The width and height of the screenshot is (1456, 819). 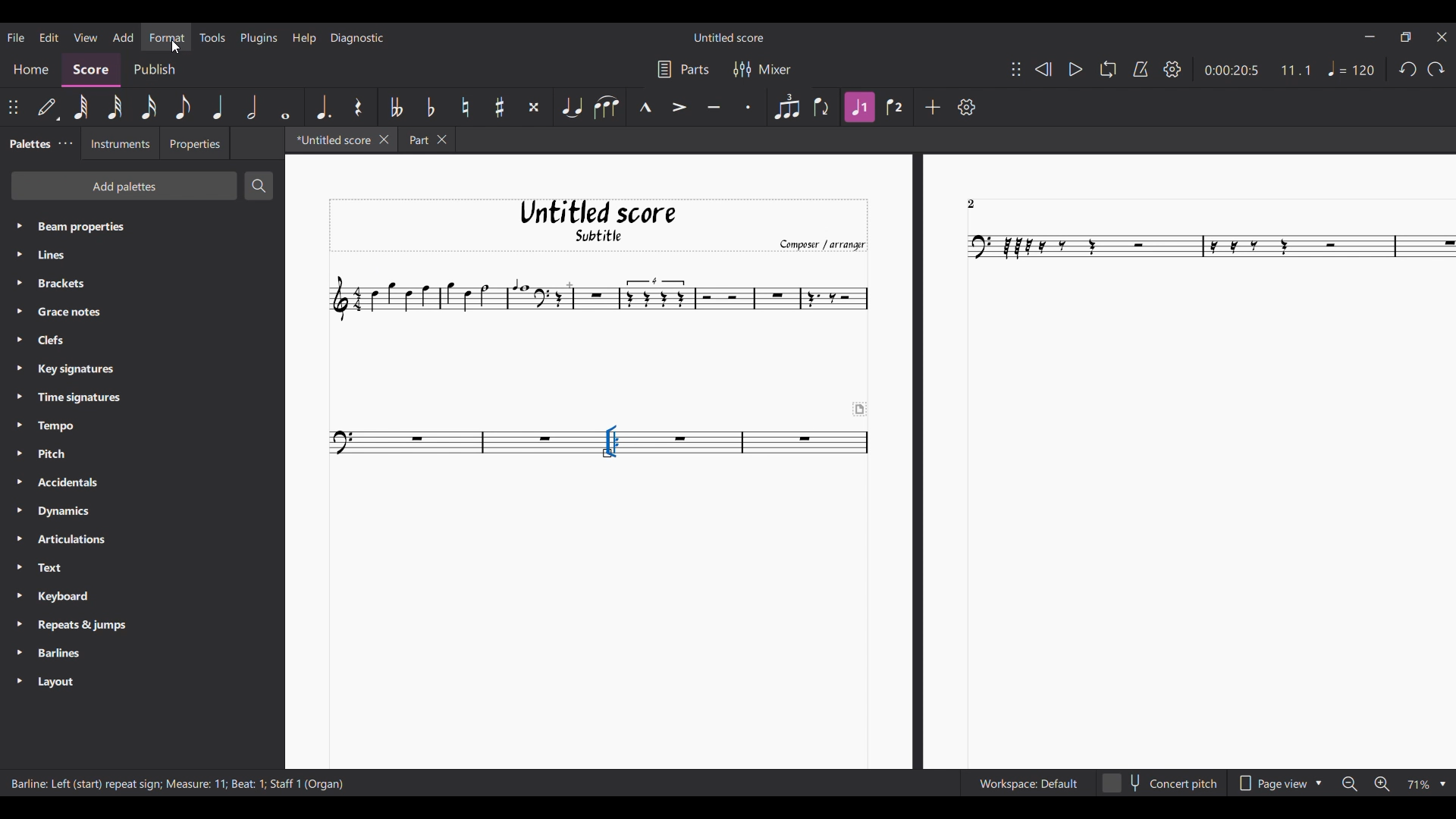 I want to click on Toggle for concert pitch, so click(x=1159, y=783).